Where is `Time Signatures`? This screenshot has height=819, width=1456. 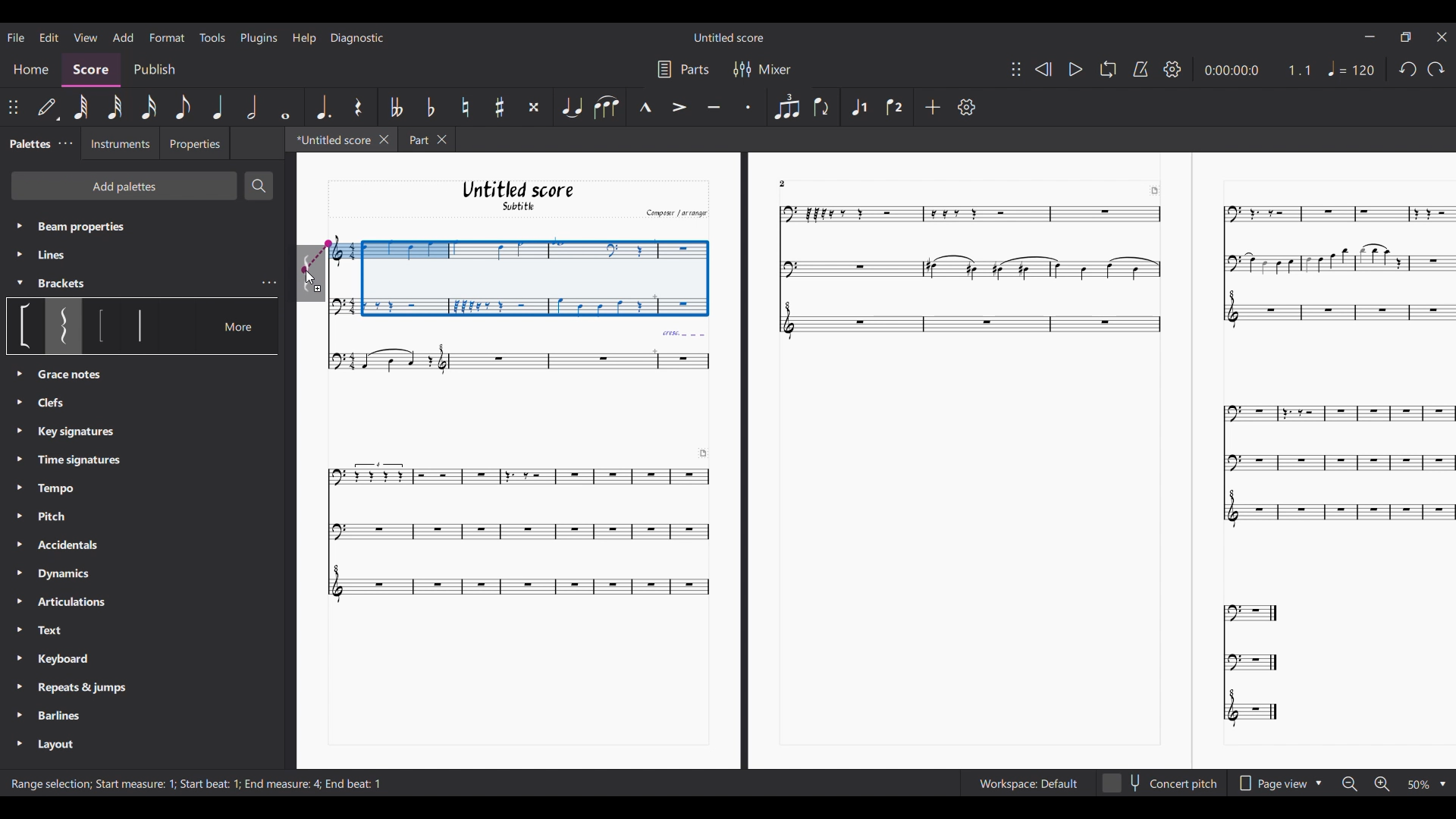
Time Signatures is located at coordinates (80, 457).